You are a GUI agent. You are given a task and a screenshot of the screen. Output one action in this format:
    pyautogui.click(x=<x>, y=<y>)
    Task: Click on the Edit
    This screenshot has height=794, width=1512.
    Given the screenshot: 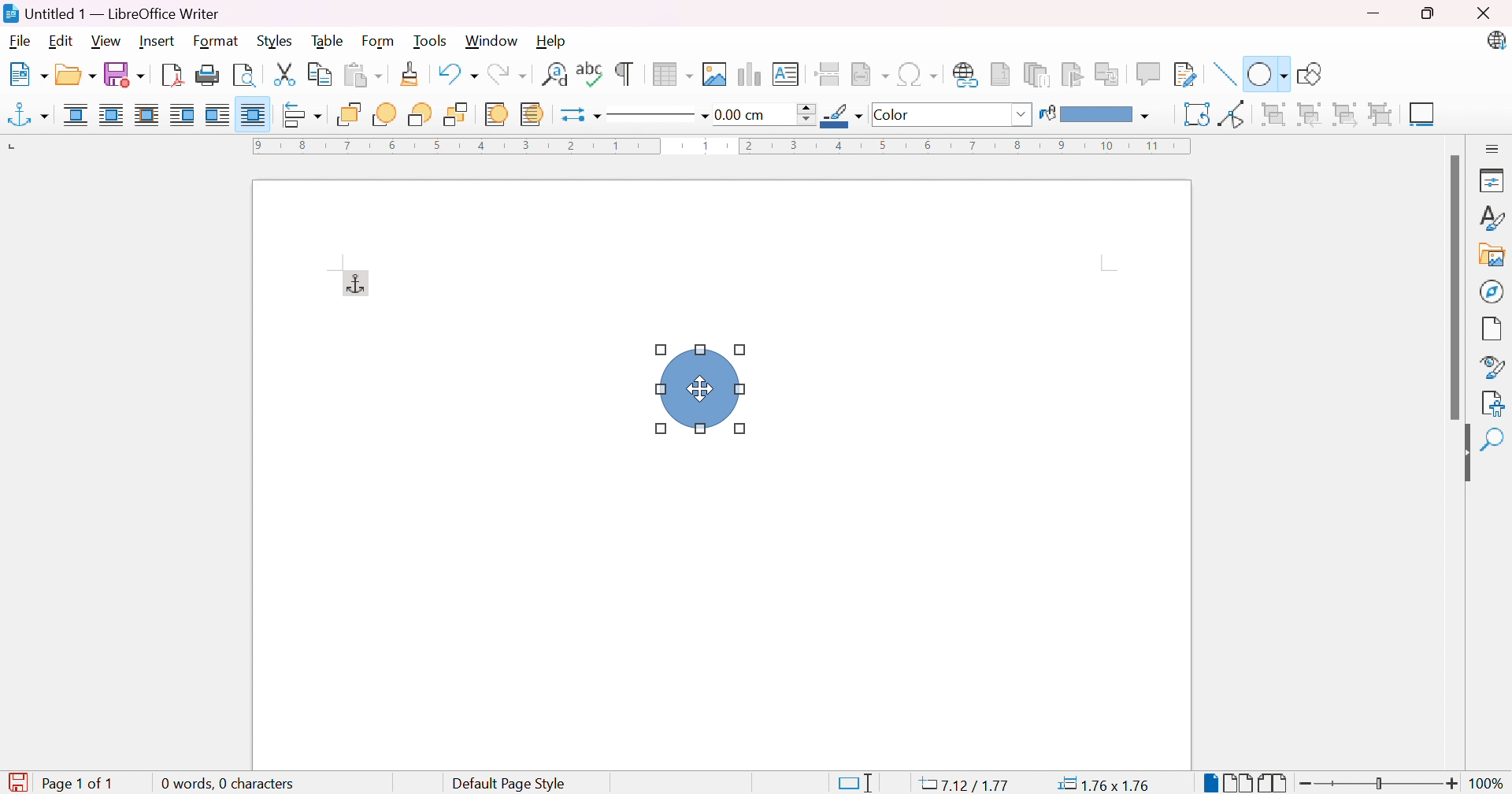 What is the action you would take?
    pyautogui.click(x=61, y=43)
    